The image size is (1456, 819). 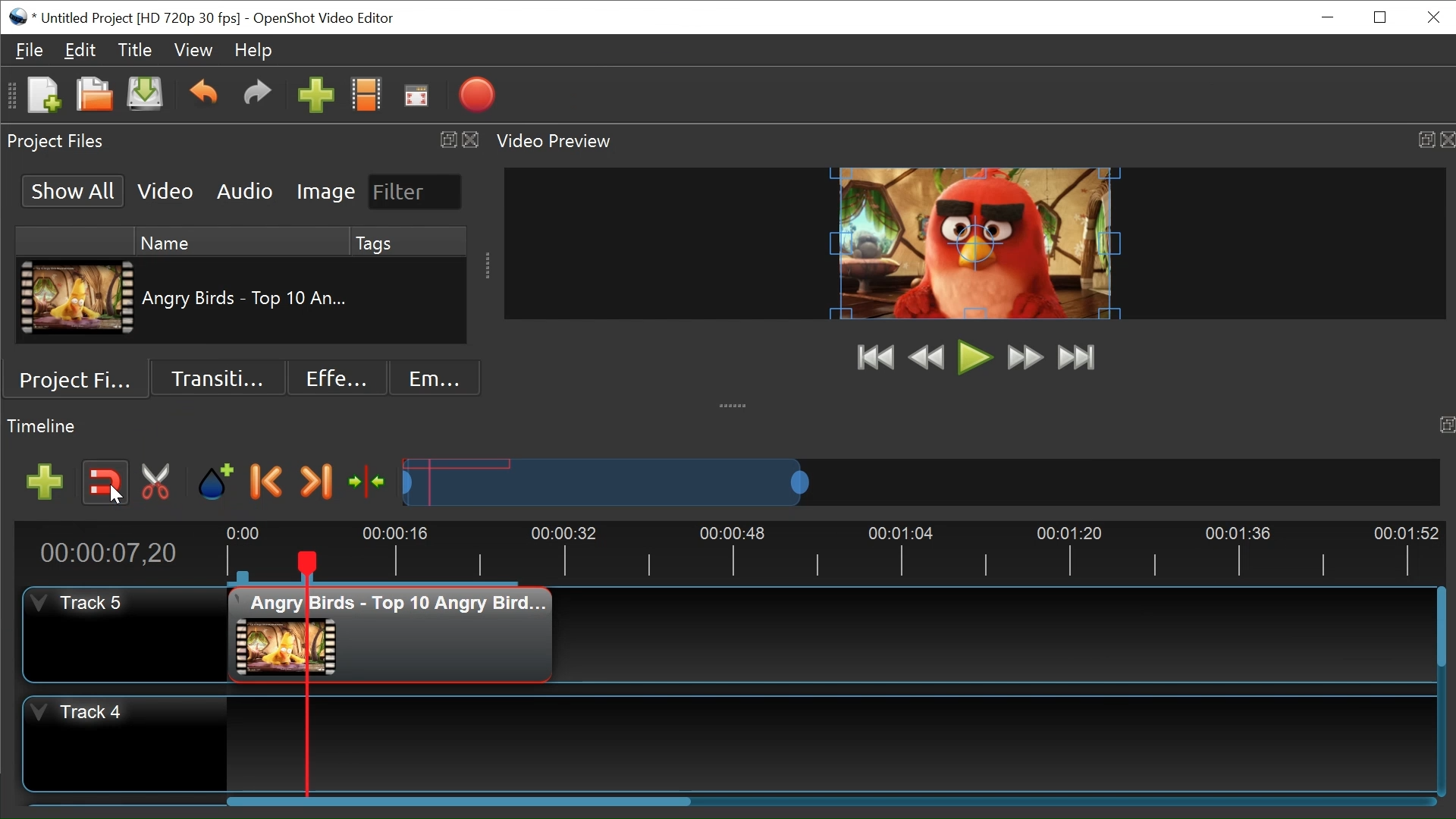 What do you see at coordinates (972, 357) in the screenshot?
I see `Play` at bounding box center [972, 357].